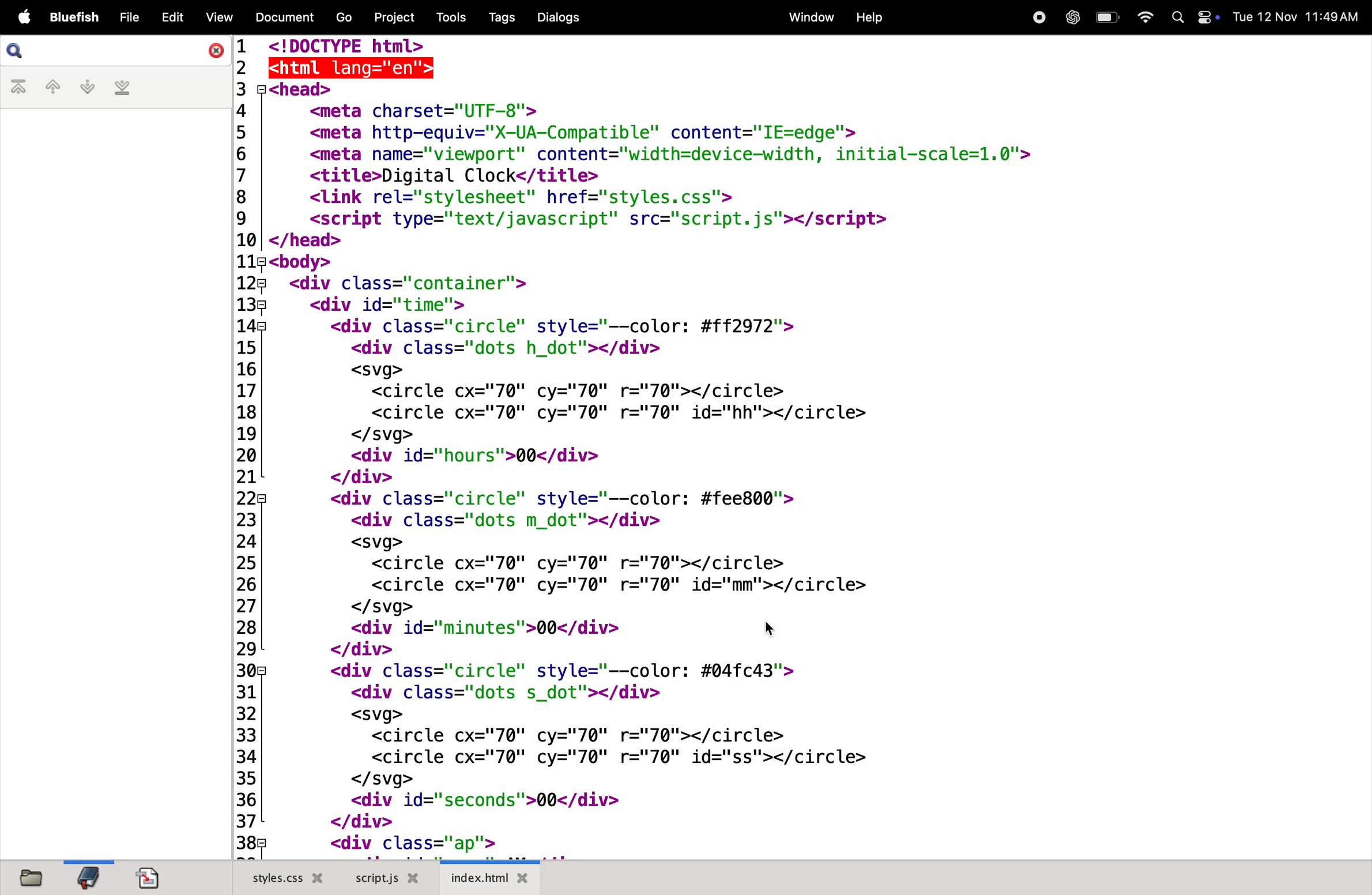 The image size is (1372, 895). What do you see at coordinates (489, 876) in the screenshot?
I see `index.html` at bounding box center [489, 876].